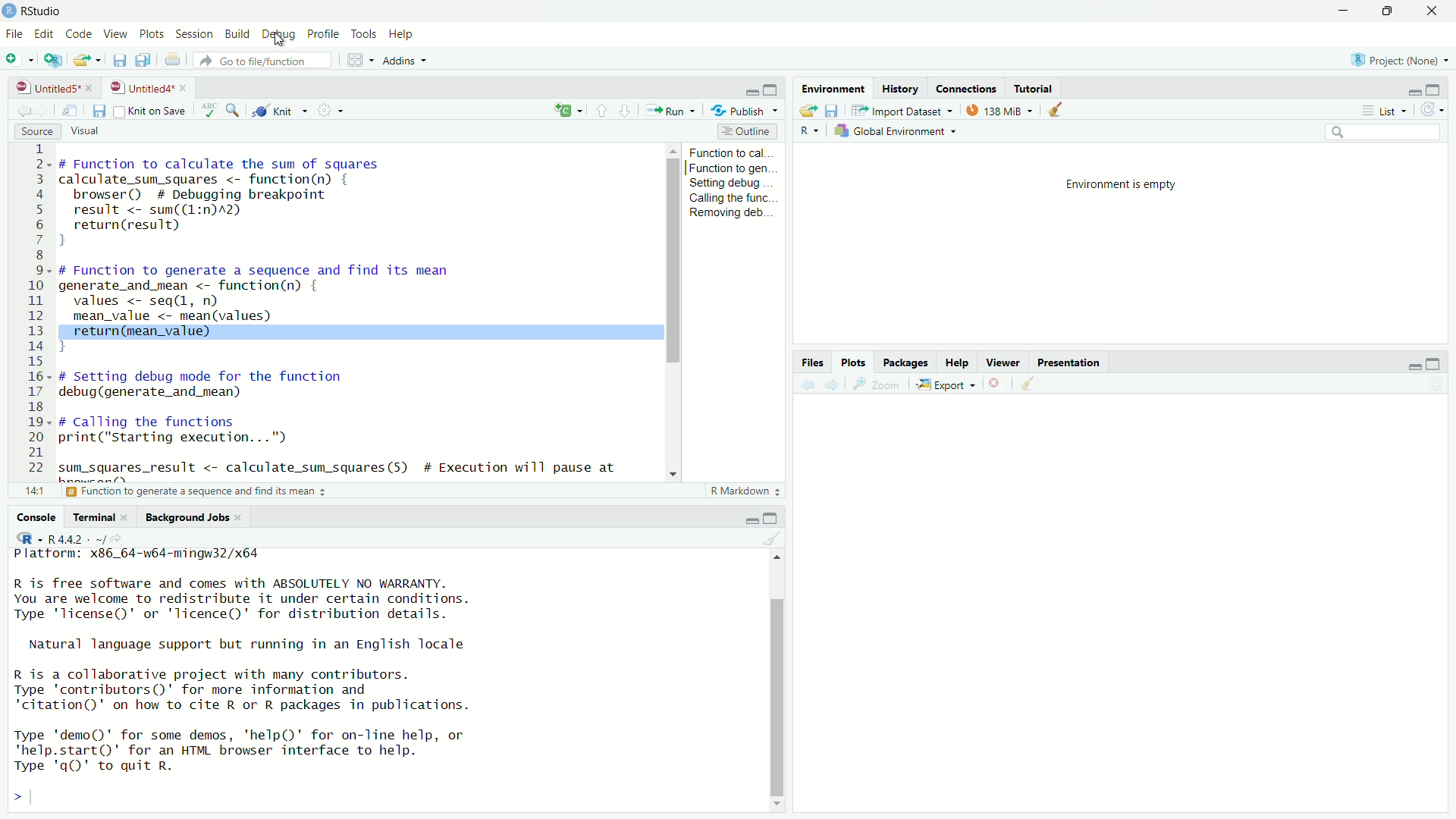 Image resolution: width=1456 pixels, height=819 pixels. I want to click on profile, so click(321, 33).